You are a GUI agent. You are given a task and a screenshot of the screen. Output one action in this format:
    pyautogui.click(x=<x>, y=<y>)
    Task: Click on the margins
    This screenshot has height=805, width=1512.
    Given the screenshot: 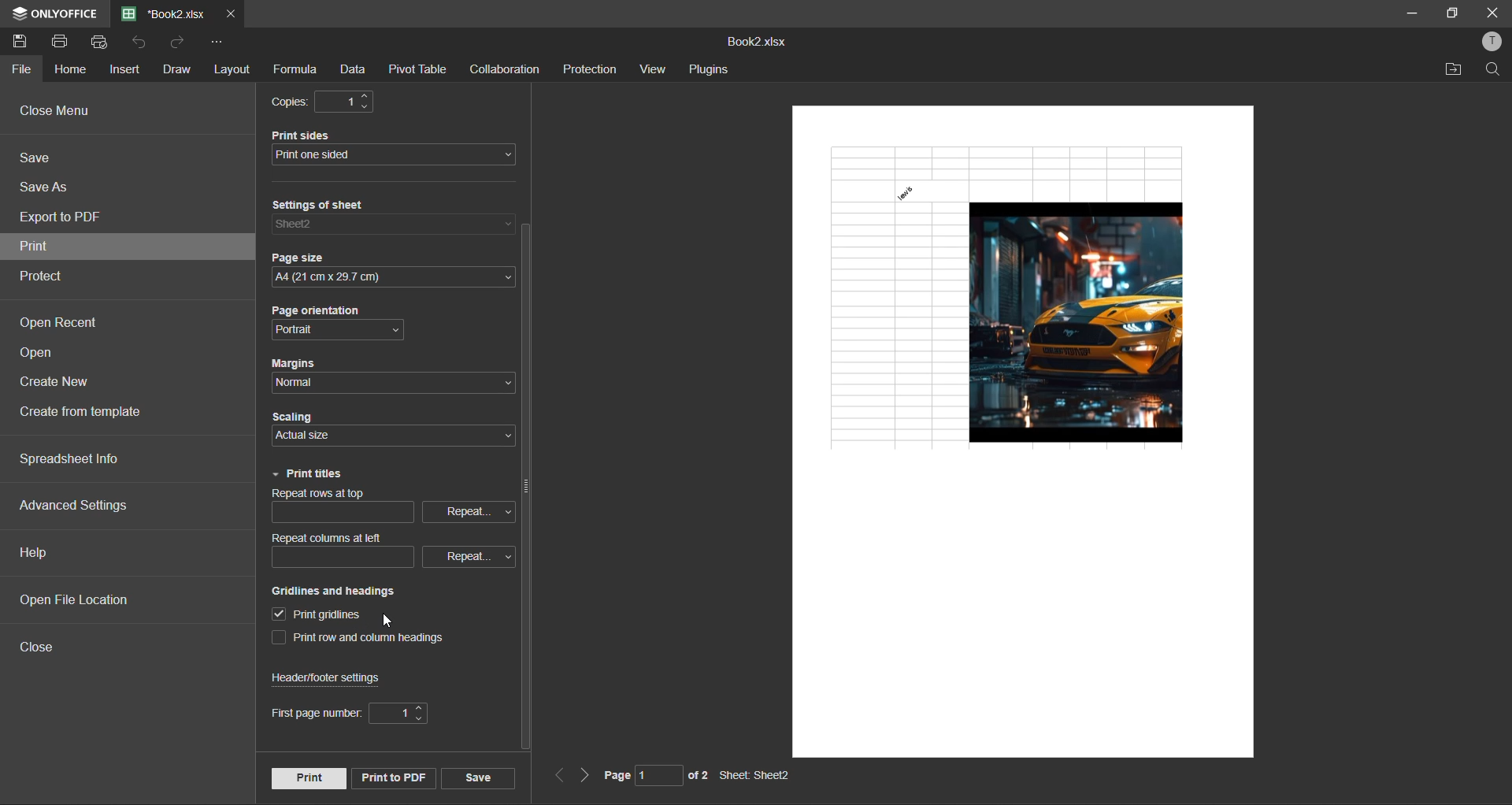 What is the action you would take?
    pyautogui.click(x=296, y=364)
    